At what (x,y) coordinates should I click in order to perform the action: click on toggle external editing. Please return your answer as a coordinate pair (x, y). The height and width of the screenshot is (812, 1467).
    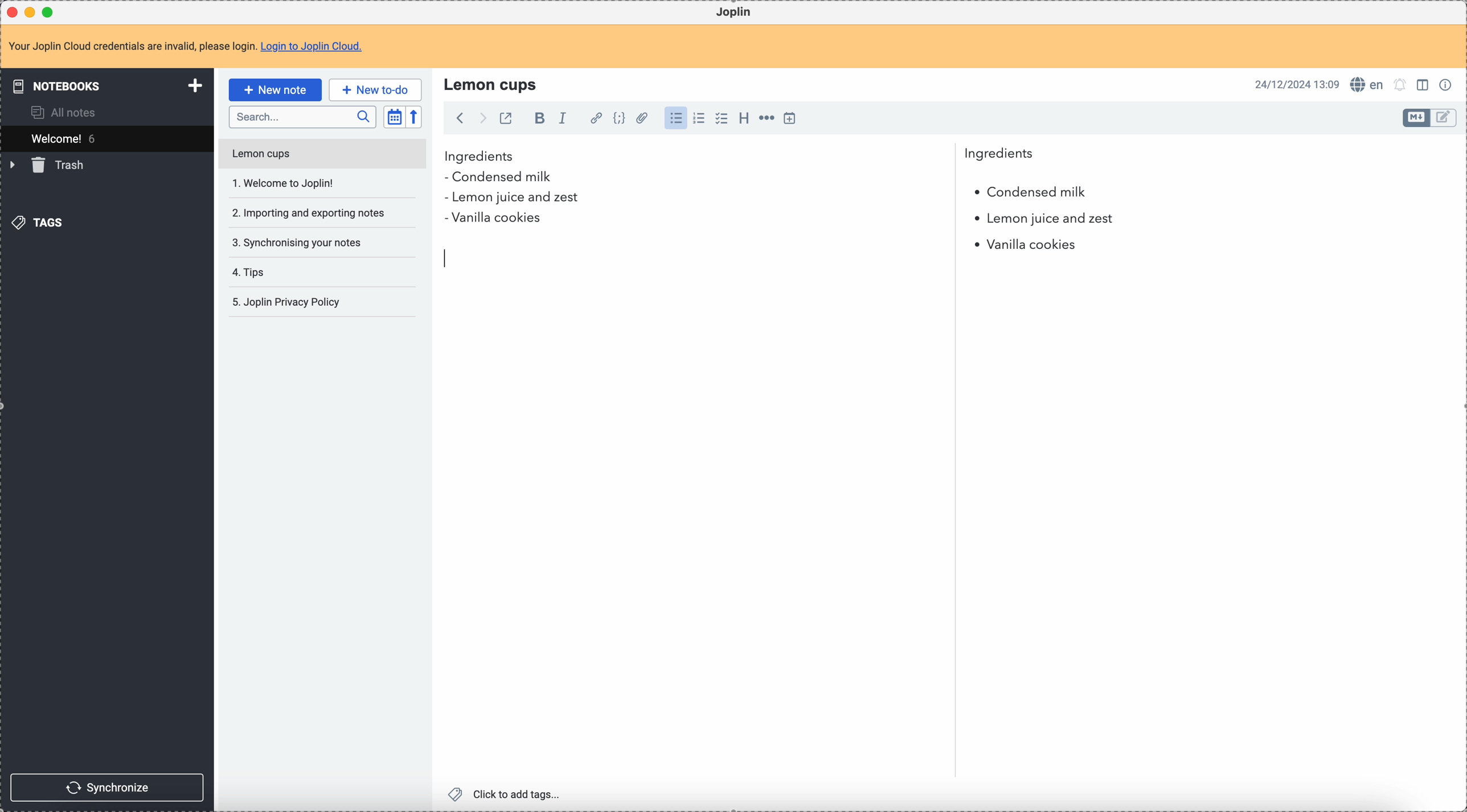
    Looking at the image, I should click on (505, 120).